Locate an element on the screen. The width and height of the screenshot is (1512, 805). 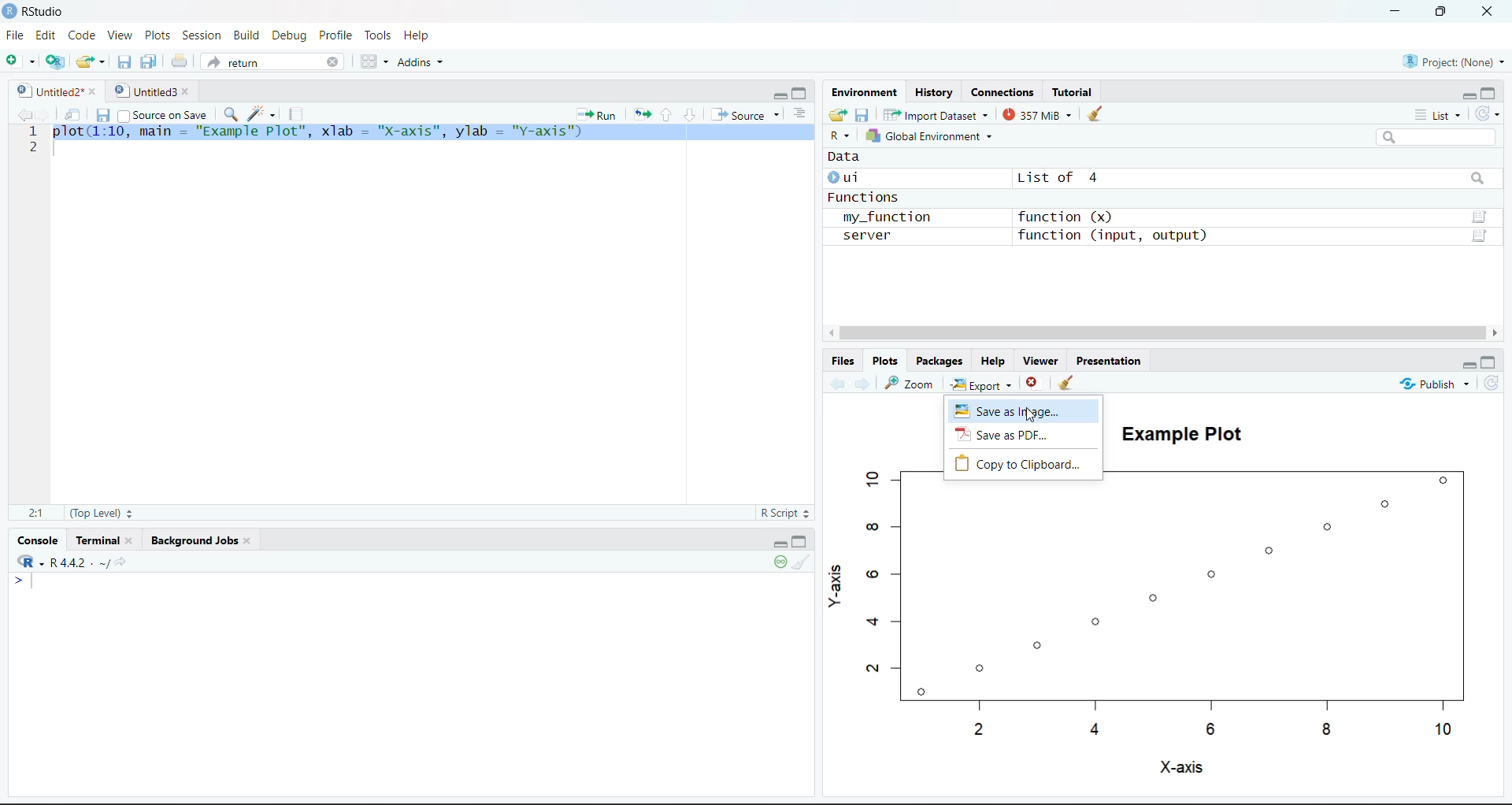
Go back to the previous source location (Ctrl + F9) is located at coordinates (21, 113).